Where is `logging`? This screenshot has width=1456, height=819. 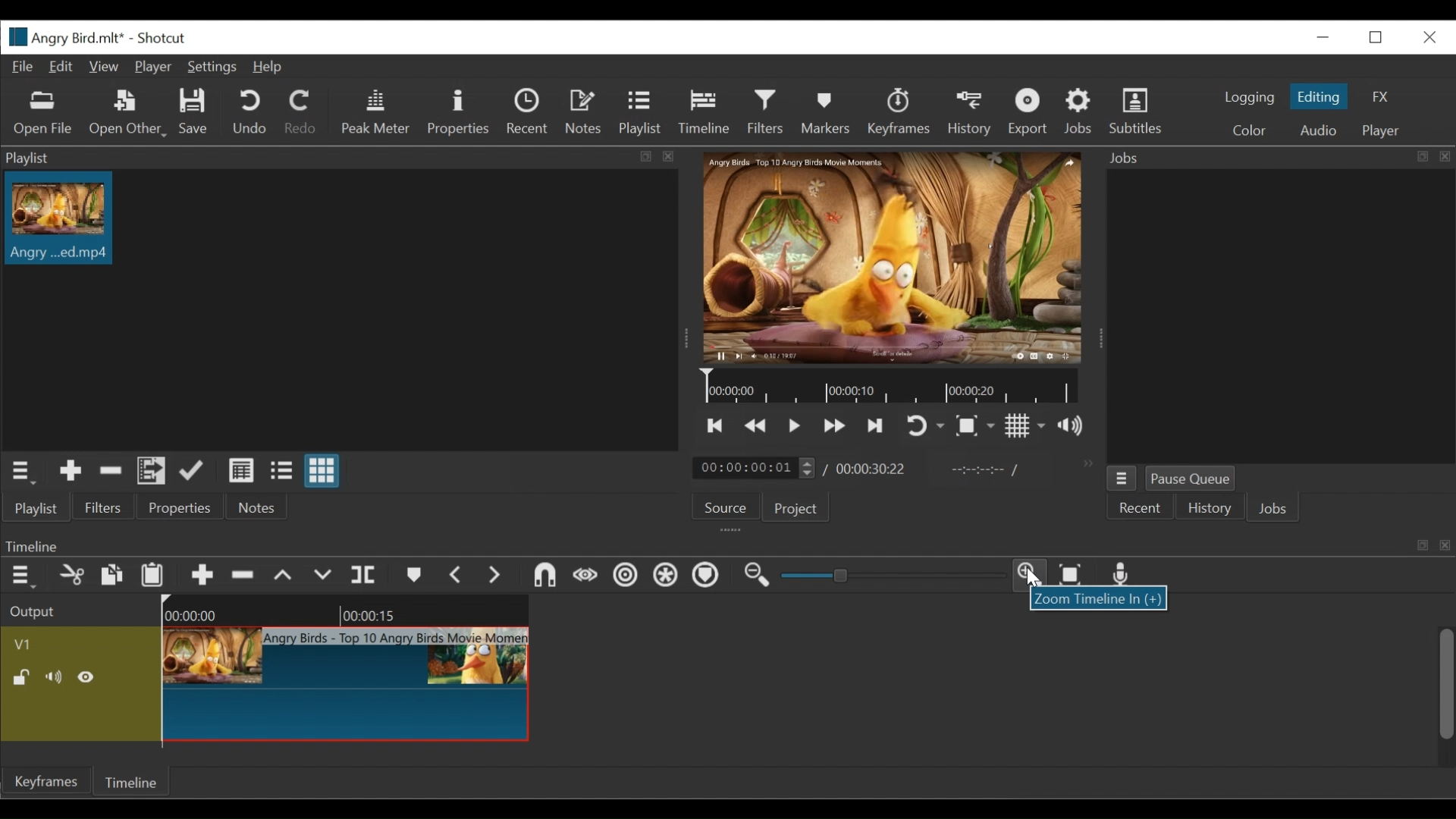 logging is located at coordinates (1247, 98).